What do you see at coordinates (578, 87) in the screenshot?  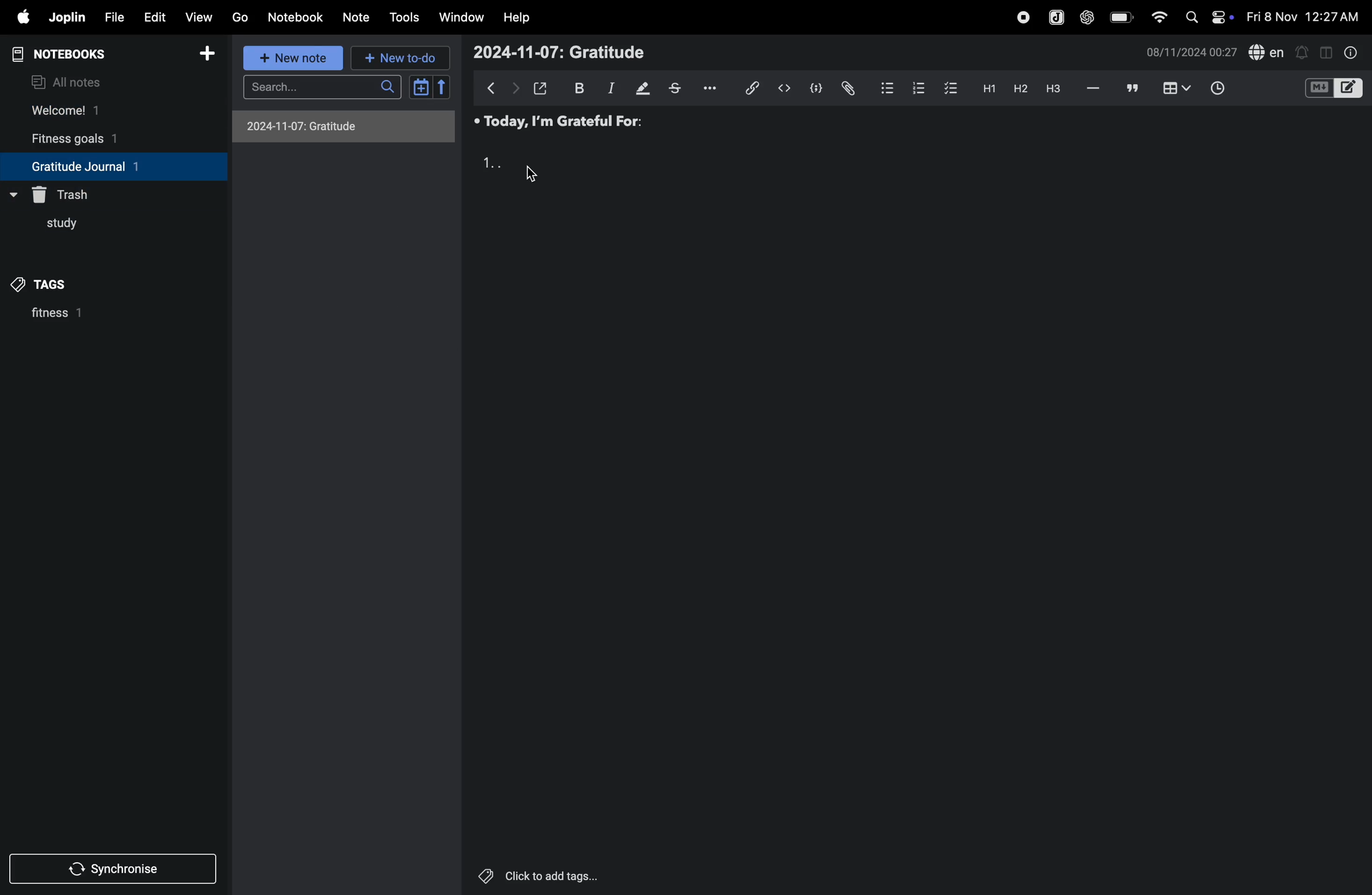 I see `bold` at bounding box center [578, 87].